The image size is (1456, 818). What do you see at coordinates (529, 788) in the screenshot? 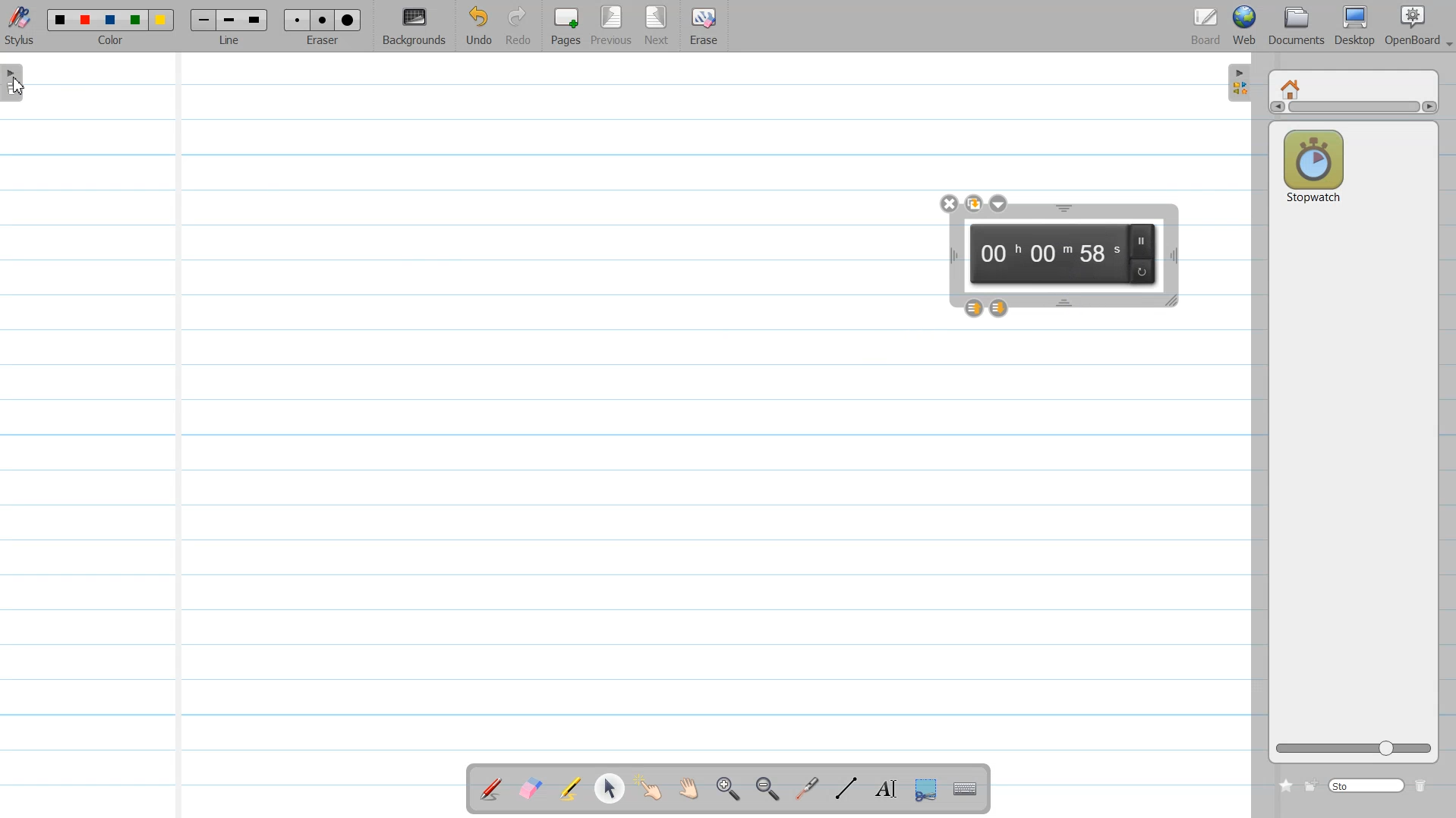
I see `Erase annotation` at bounding box center [529, 788].